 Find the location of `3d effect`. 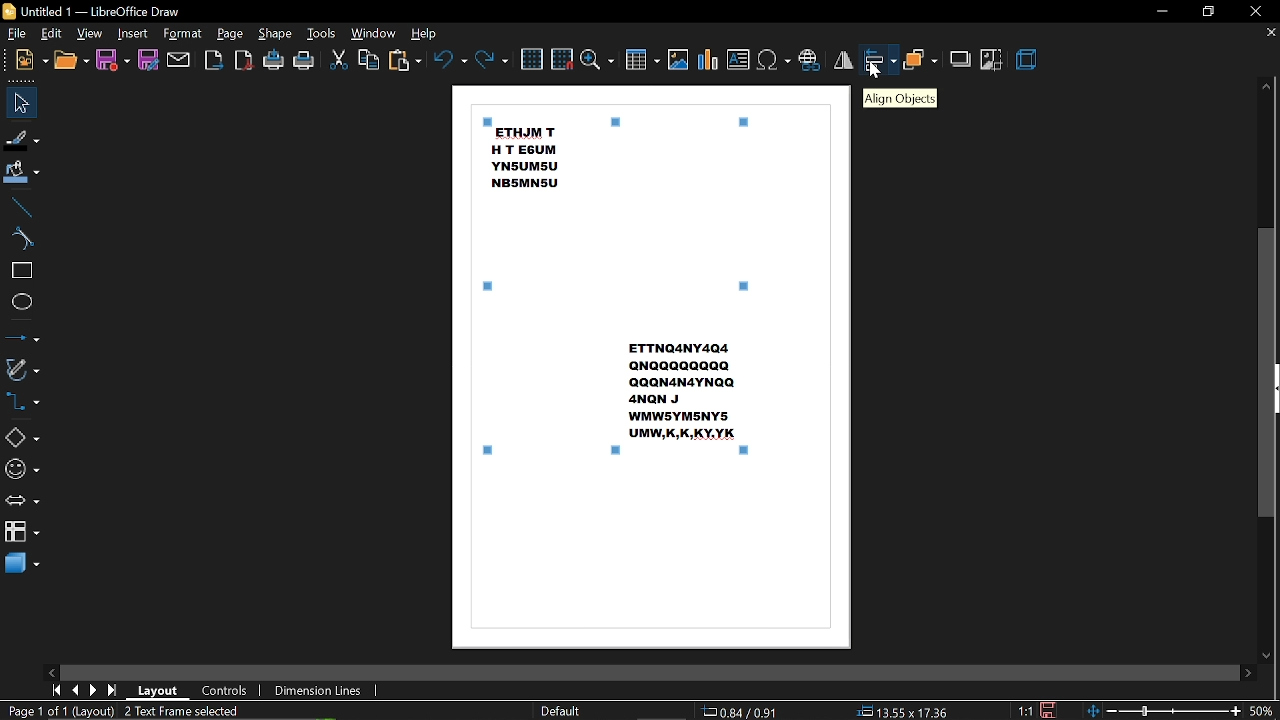

3d effect is located at coordinates (1029, 61).